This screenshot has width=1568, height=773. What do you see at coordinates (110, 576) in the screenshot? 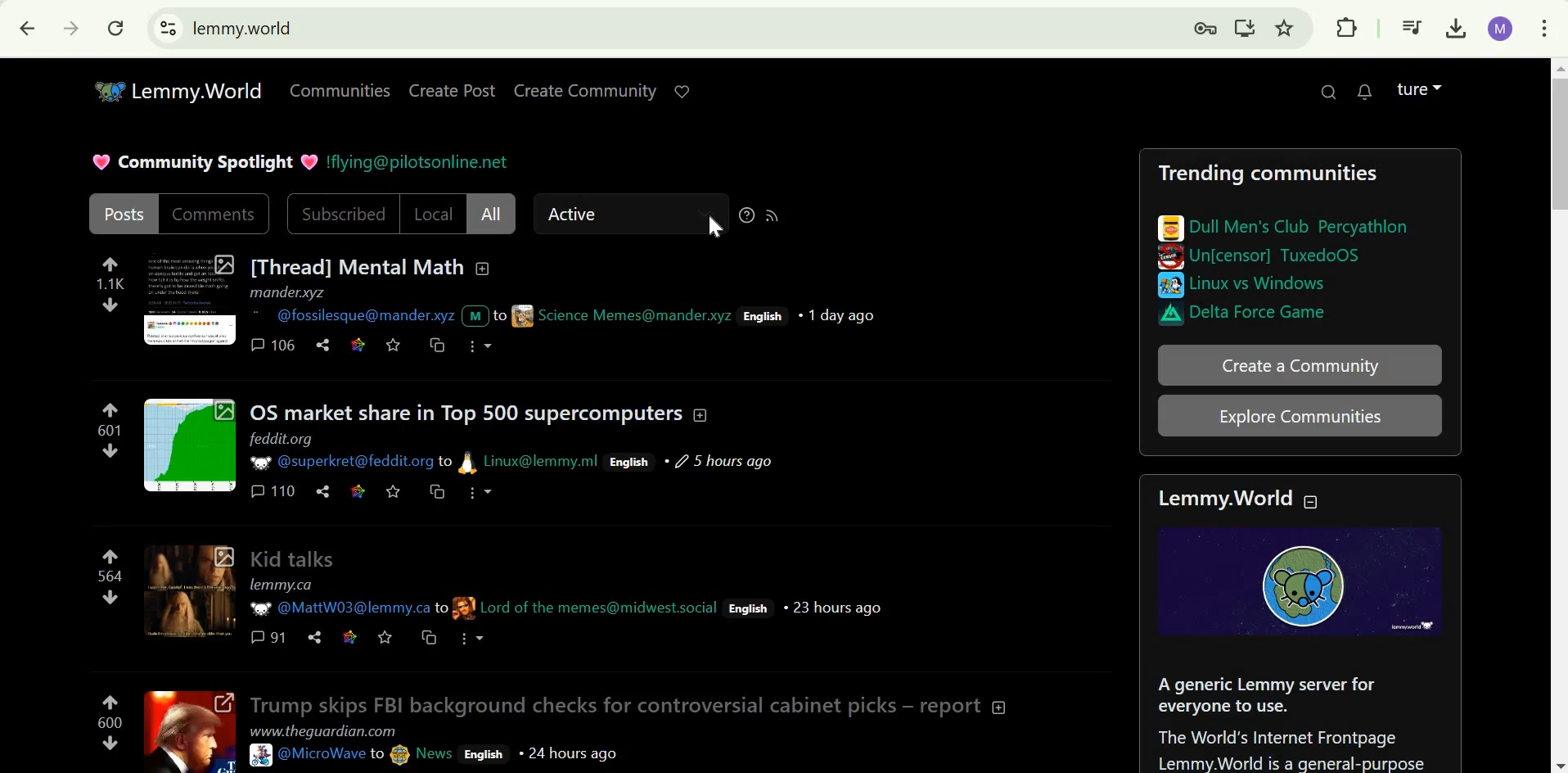
I see `564 points` at bounding box center [110, 576].